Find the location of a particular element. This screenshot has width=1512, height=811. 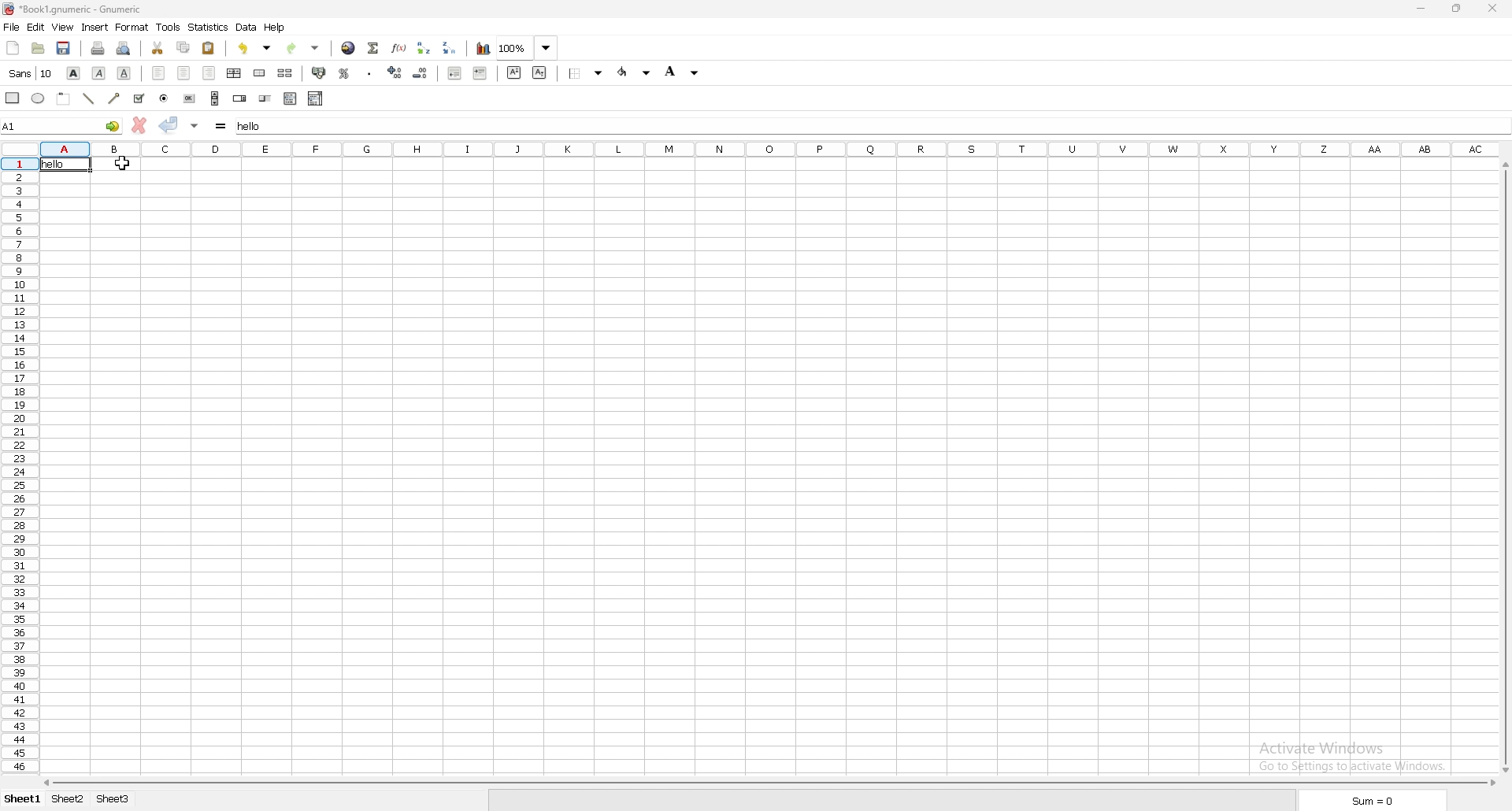

create scroll bar is located at coordinates (214, 98).